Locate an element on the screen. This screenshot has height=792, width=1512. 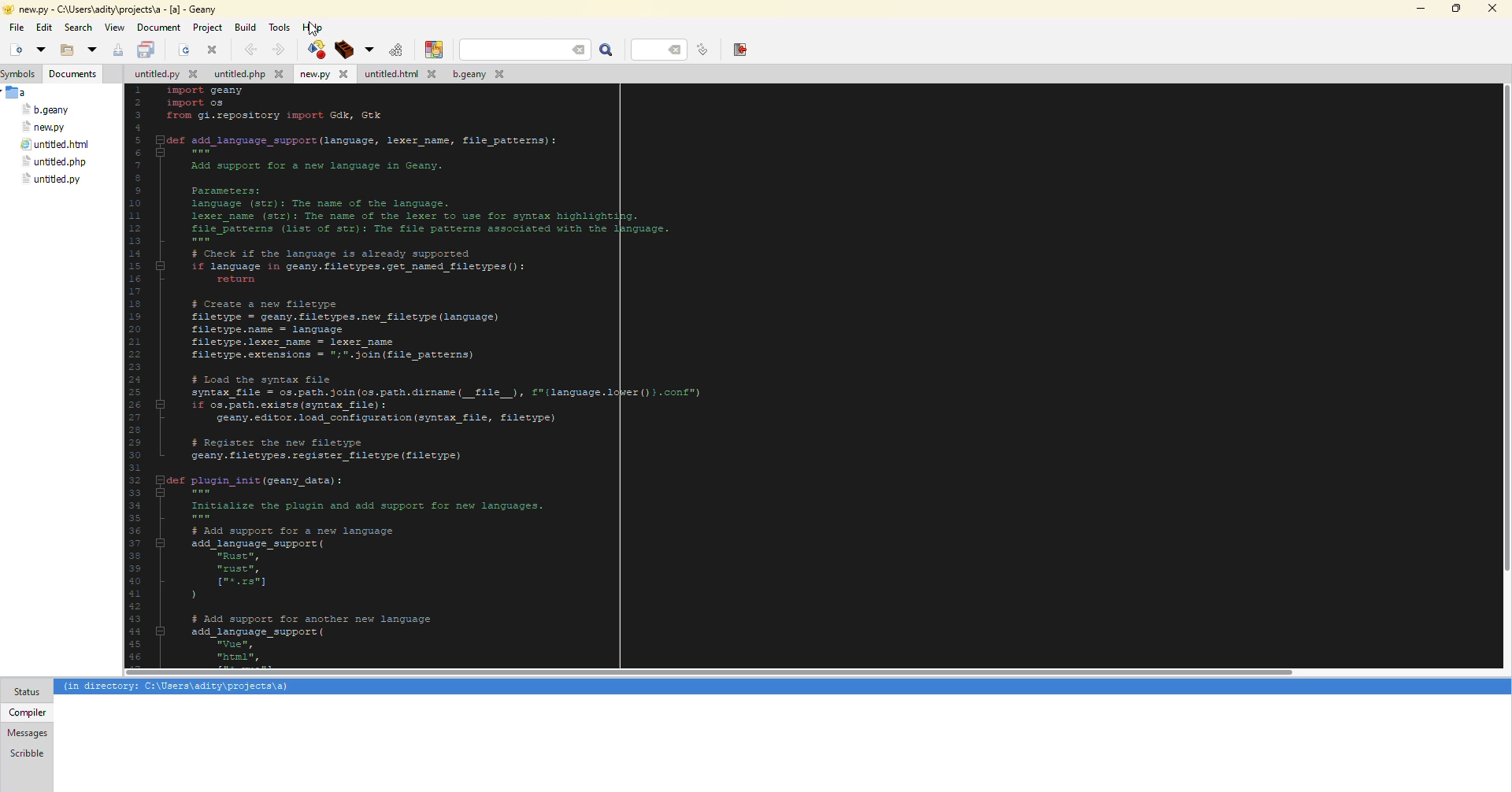
line number is located at coordinates (702, 50).